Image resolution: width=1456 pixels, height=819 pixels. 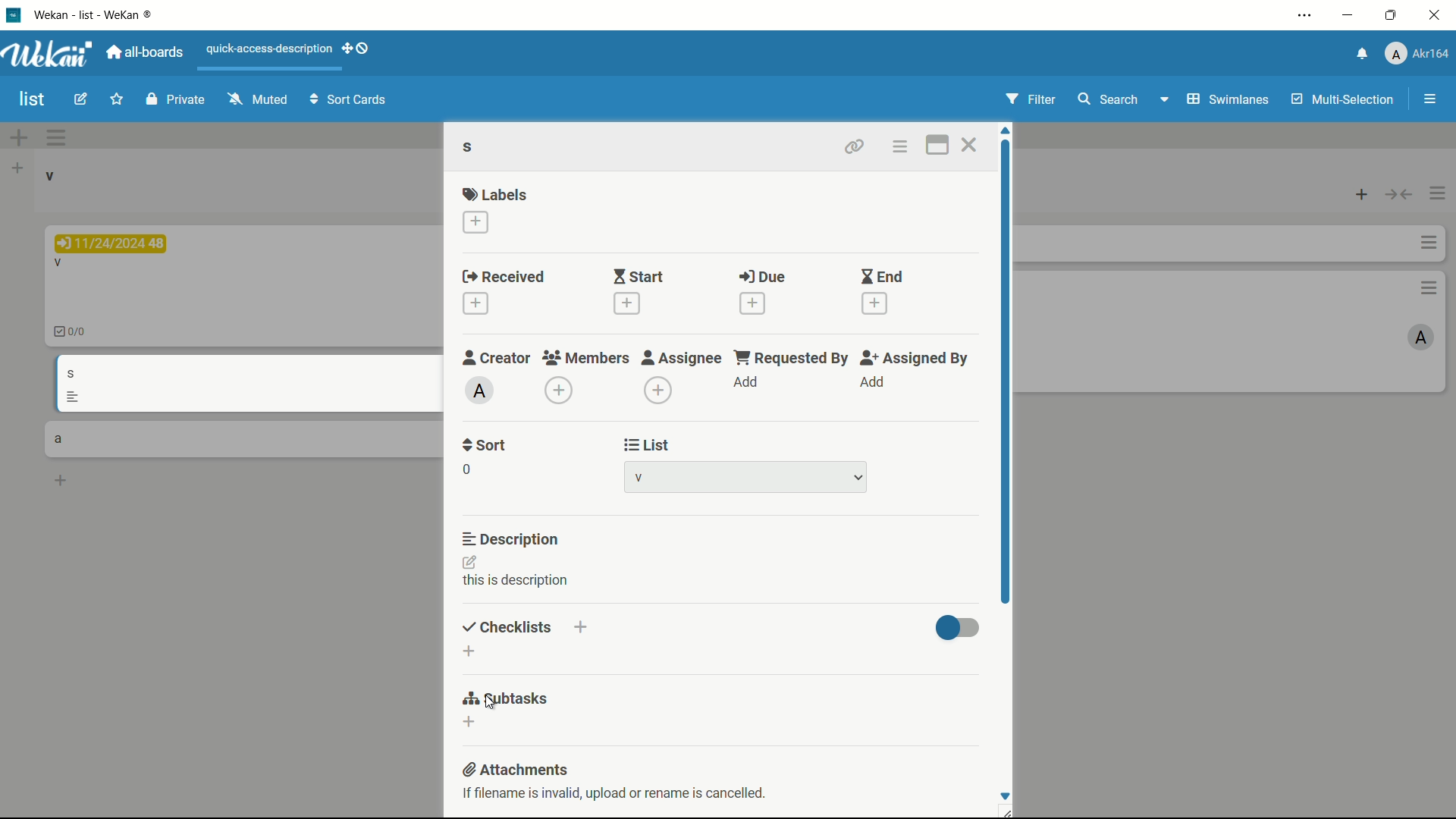 What do you see at coordinates (15, 15) in the screenshot?
I see `app icon` at bounding box center [15, 15].